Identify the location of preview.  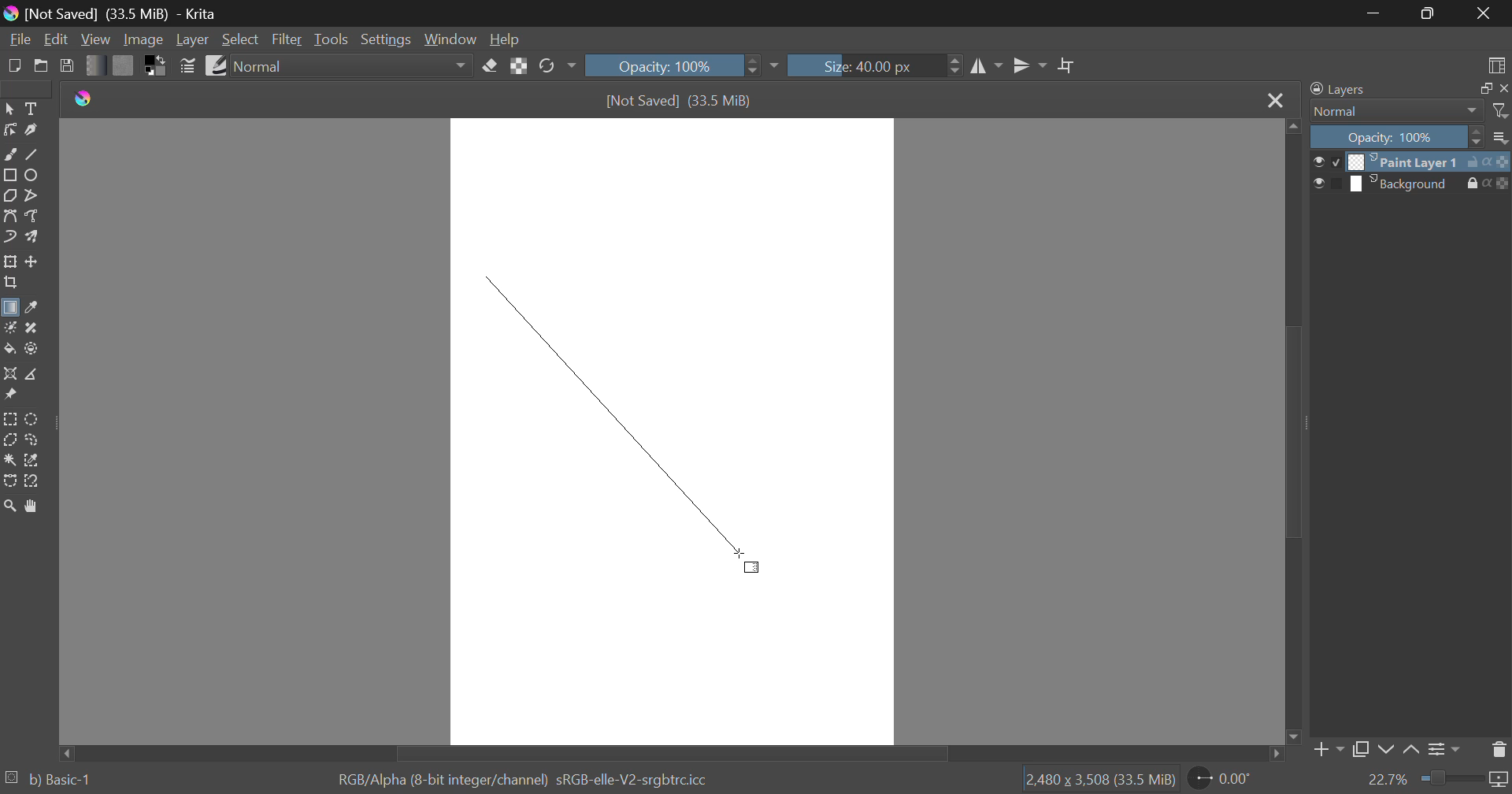
(1325, 161).